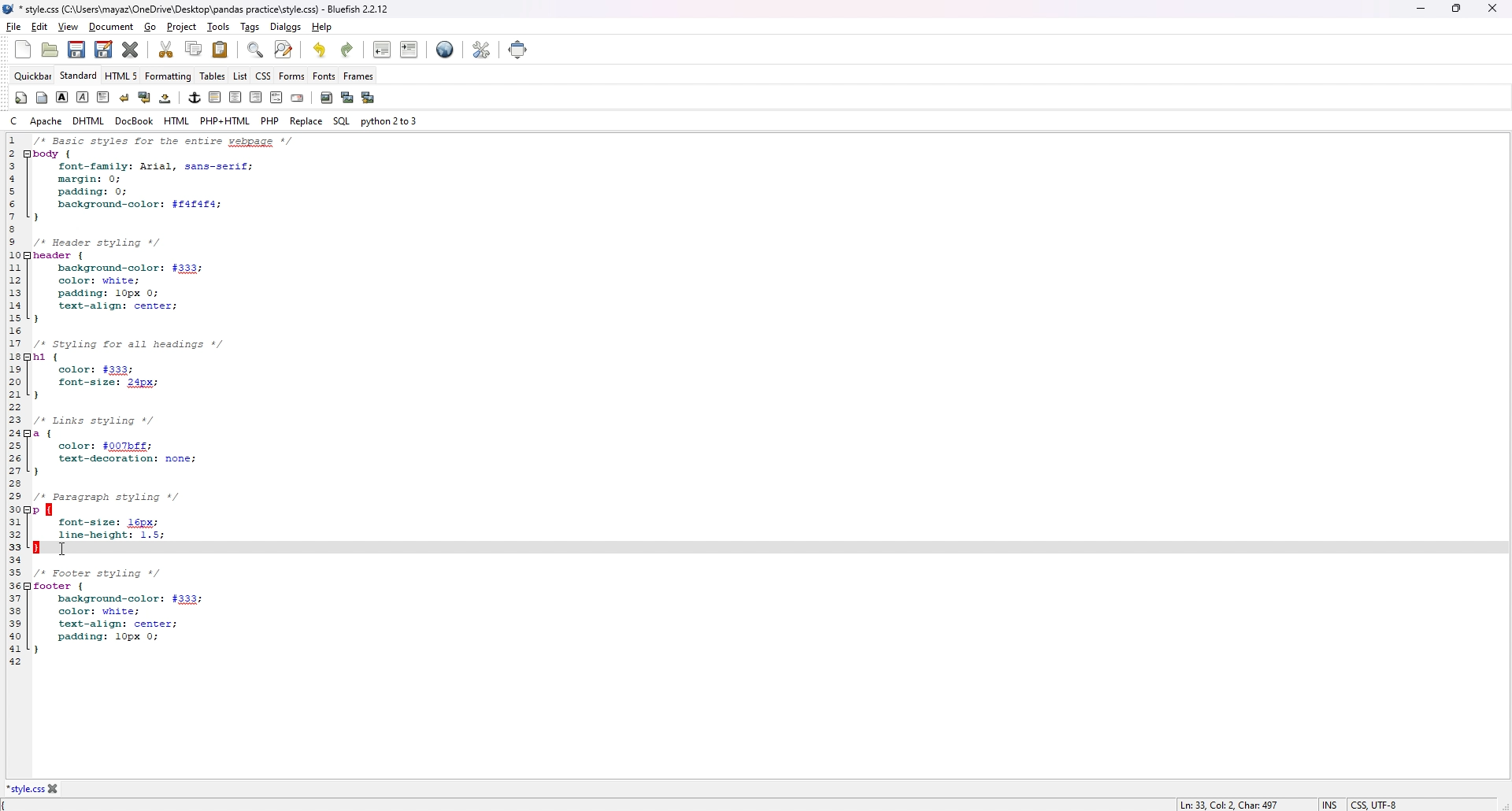 This screenshot has width=1512, height=811. I want to click on 30 p { 31 font-size: 16px; 32 line-height: 1.5;, so click(148, 520).